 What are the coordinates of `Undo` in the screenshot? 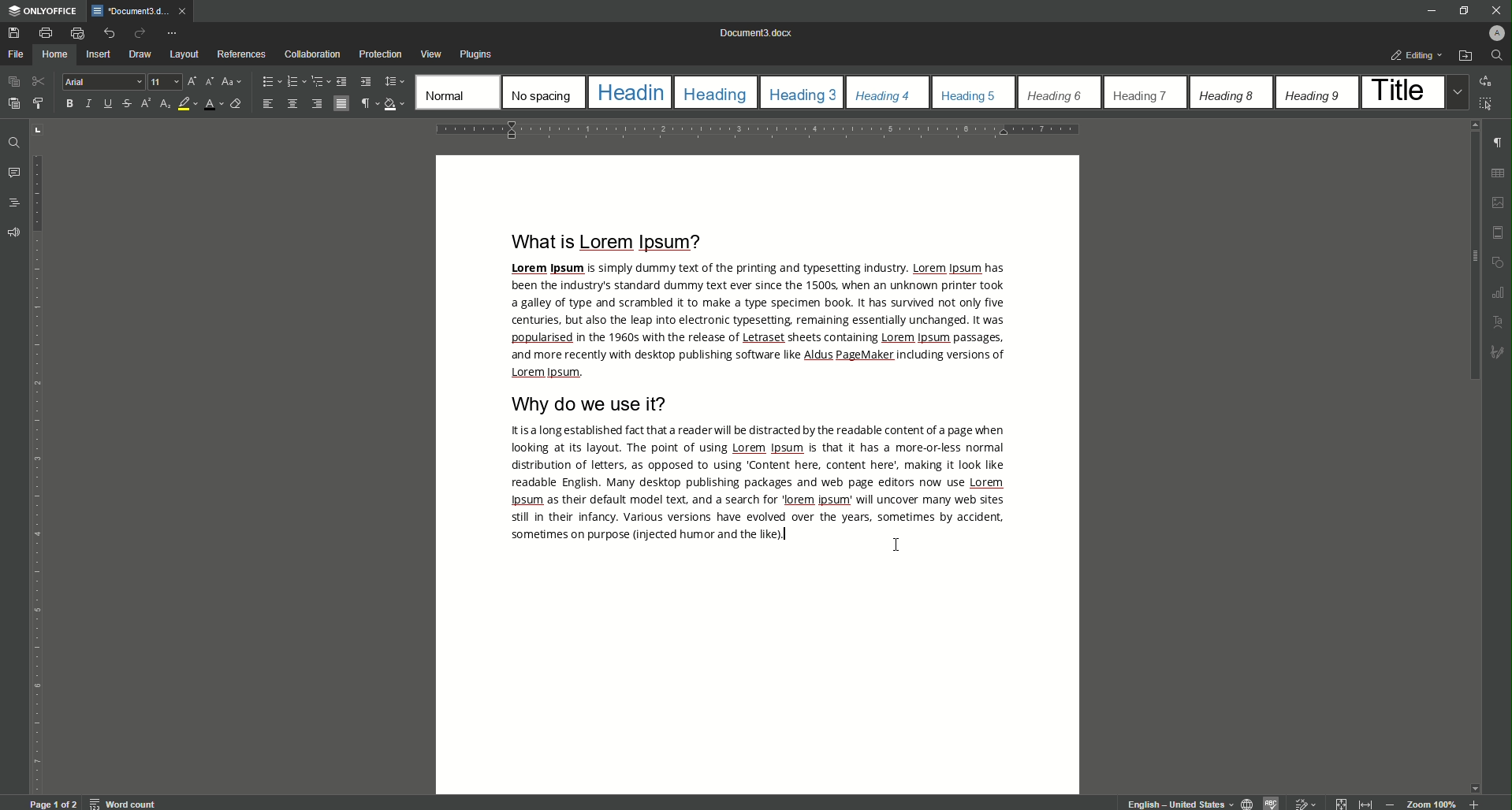 It's located at (104, 33).